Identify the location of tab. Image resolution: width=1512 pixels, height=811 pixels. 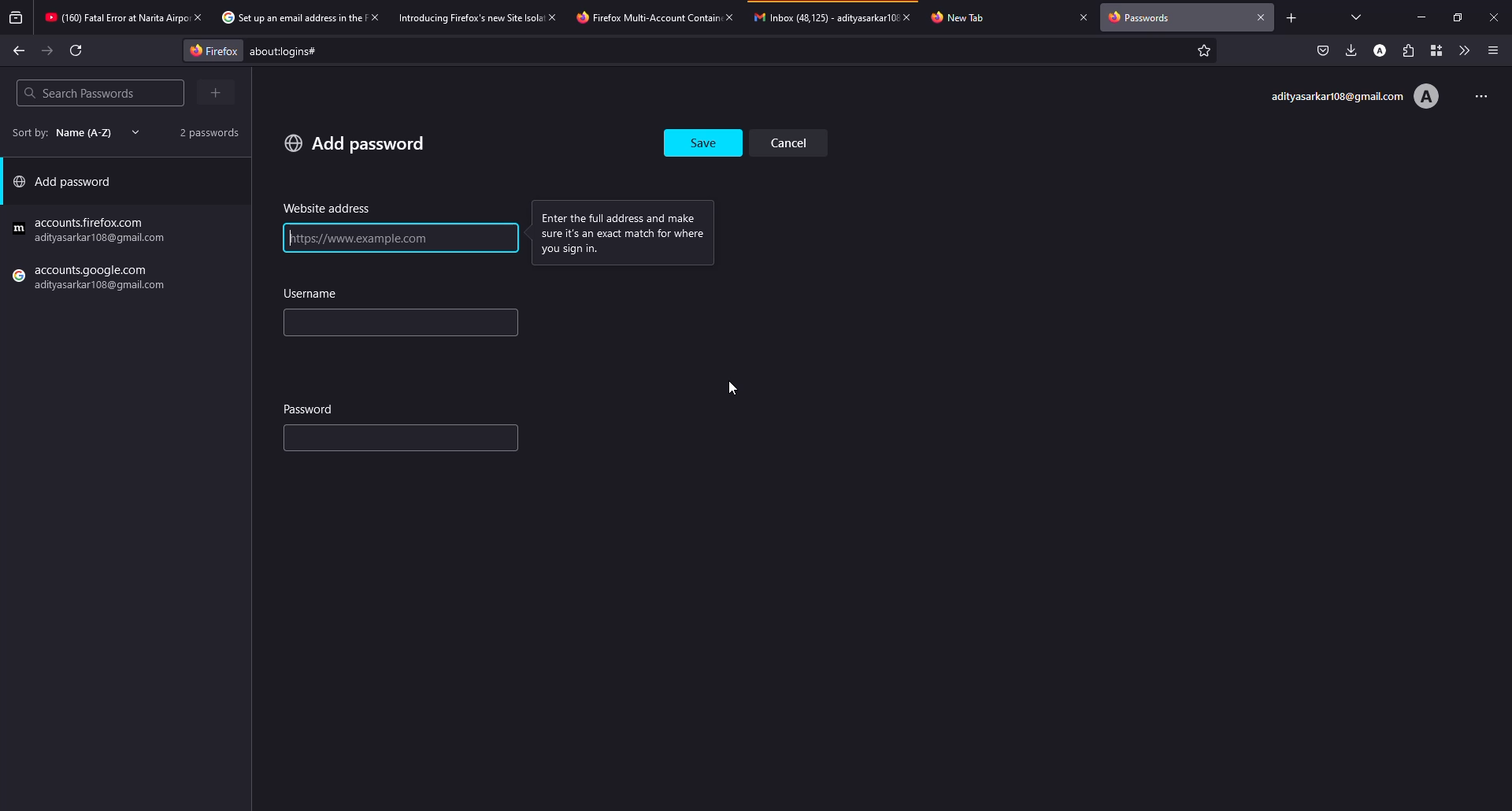
(289, 18).